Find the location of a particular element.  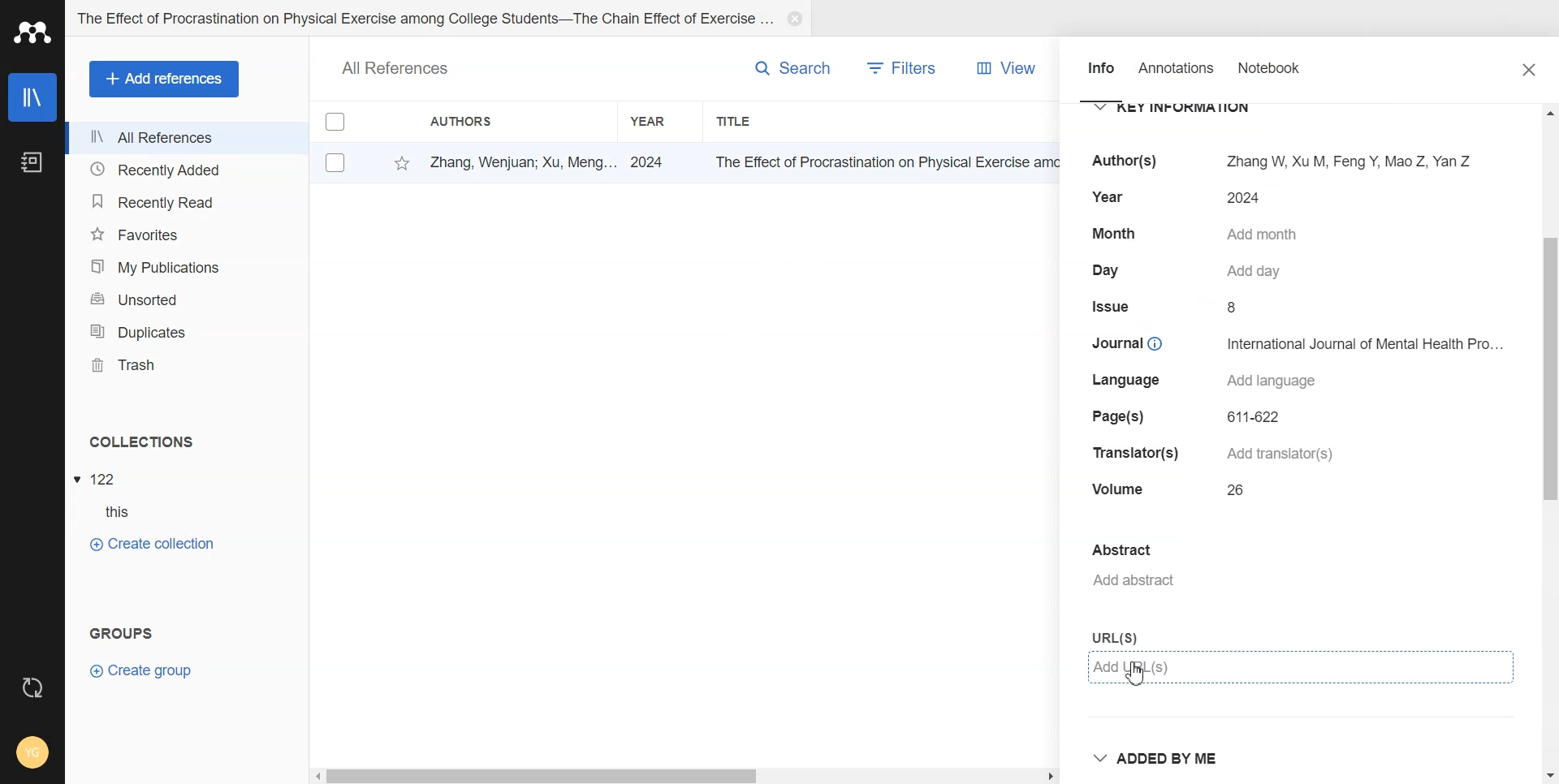

vertical scrollbar is located at coordinates (1549, 368).